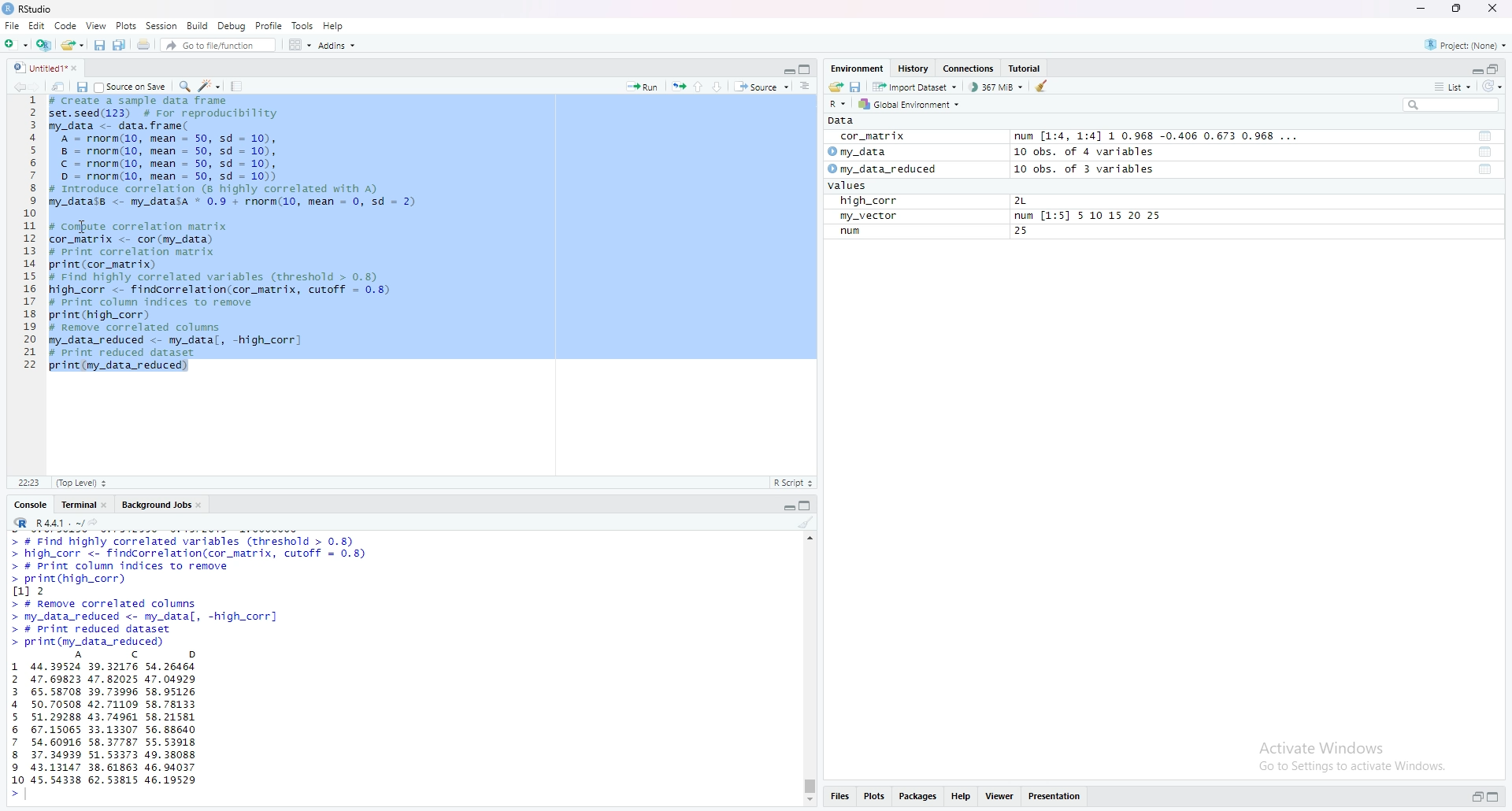  Describe the element at coordinates (1056, 796) in the screenshot. I see `Presentations` at that location.